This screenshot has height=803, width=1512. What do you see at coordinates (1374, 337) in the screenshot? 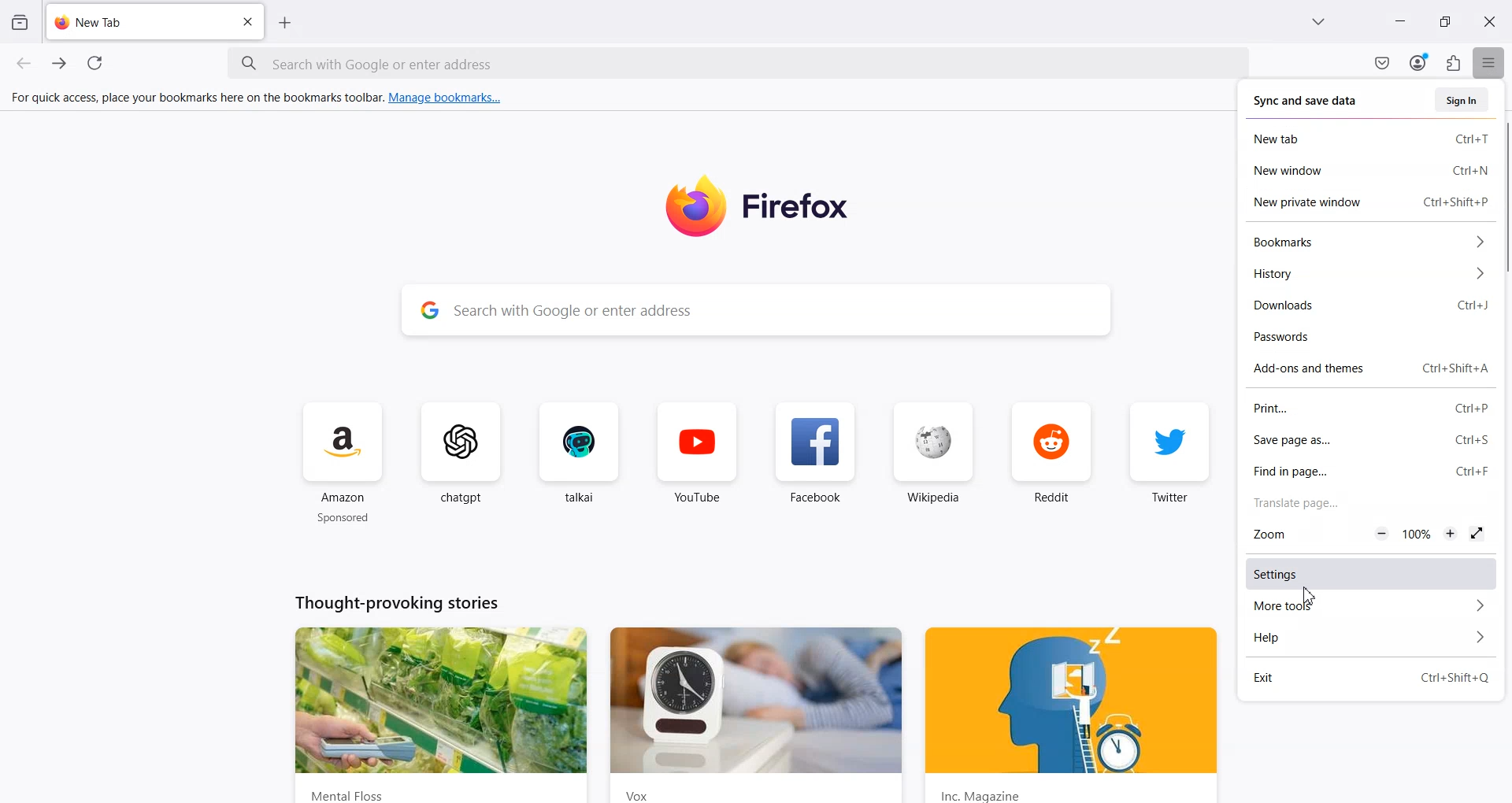
I see `Passwords` at bounding box center [1374, 337].